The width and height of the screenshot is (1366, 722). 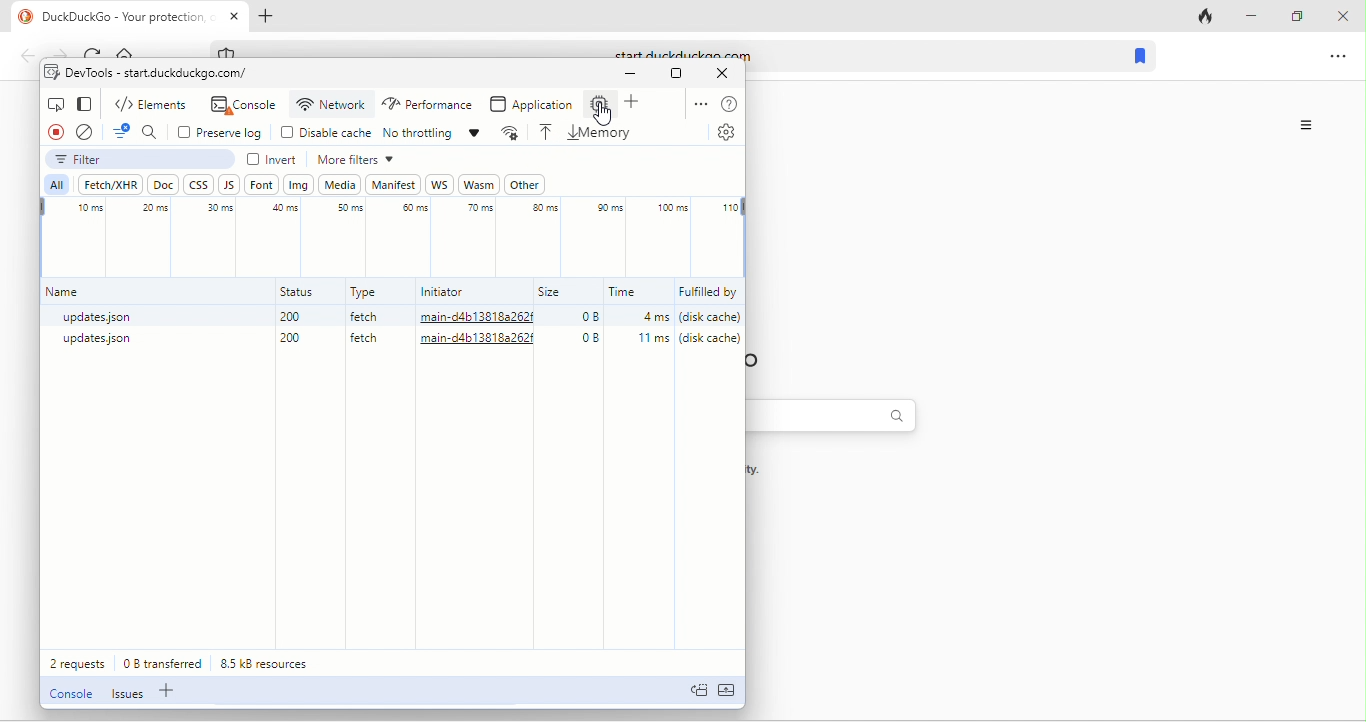 What do you see at coordinates (276, 16) in the screenshot?
I see `add tab` at bounding box center [276, 16].